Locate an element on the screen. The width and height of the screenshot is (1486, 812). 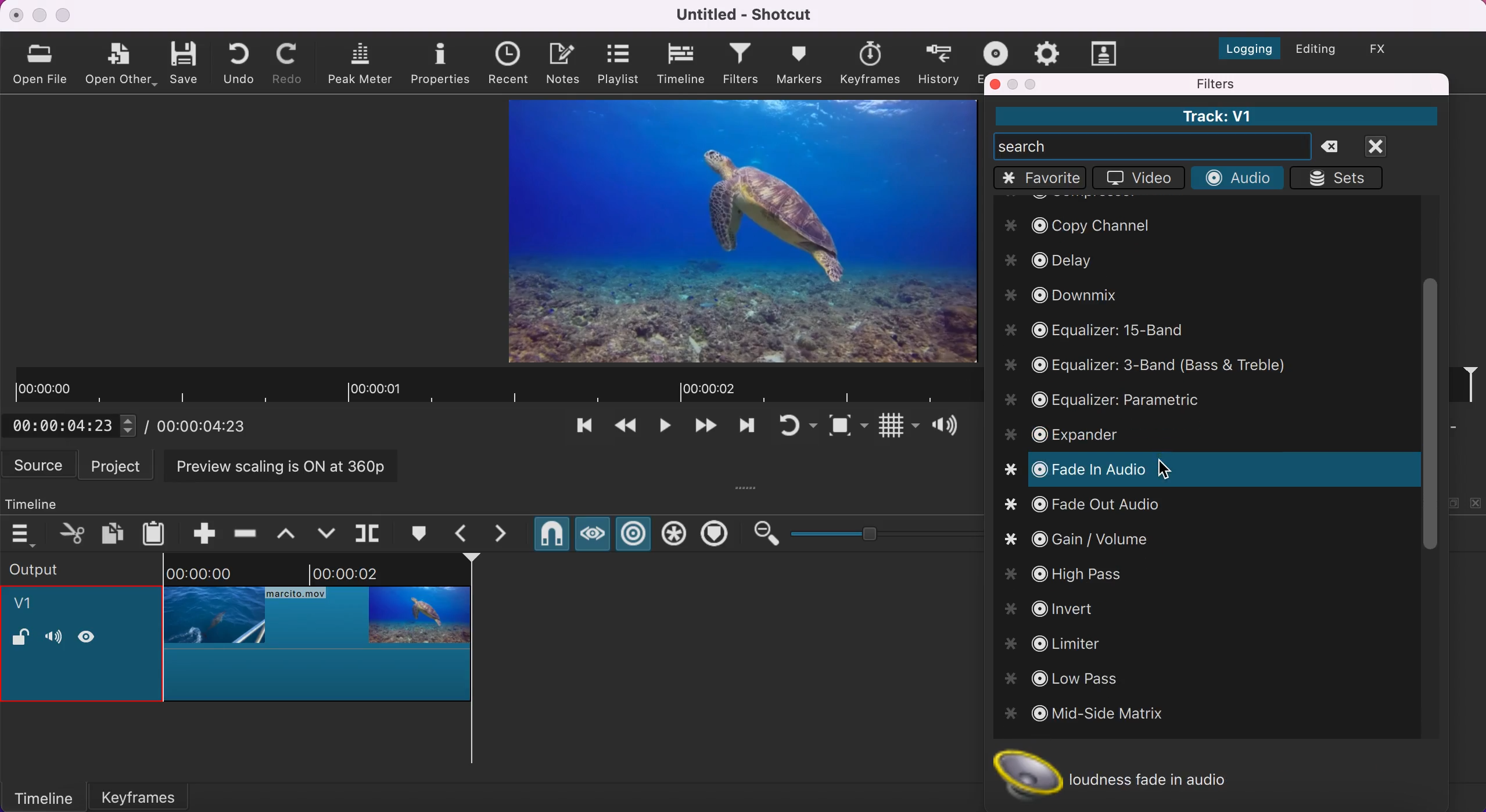
close is located at coordinates (996, 84).